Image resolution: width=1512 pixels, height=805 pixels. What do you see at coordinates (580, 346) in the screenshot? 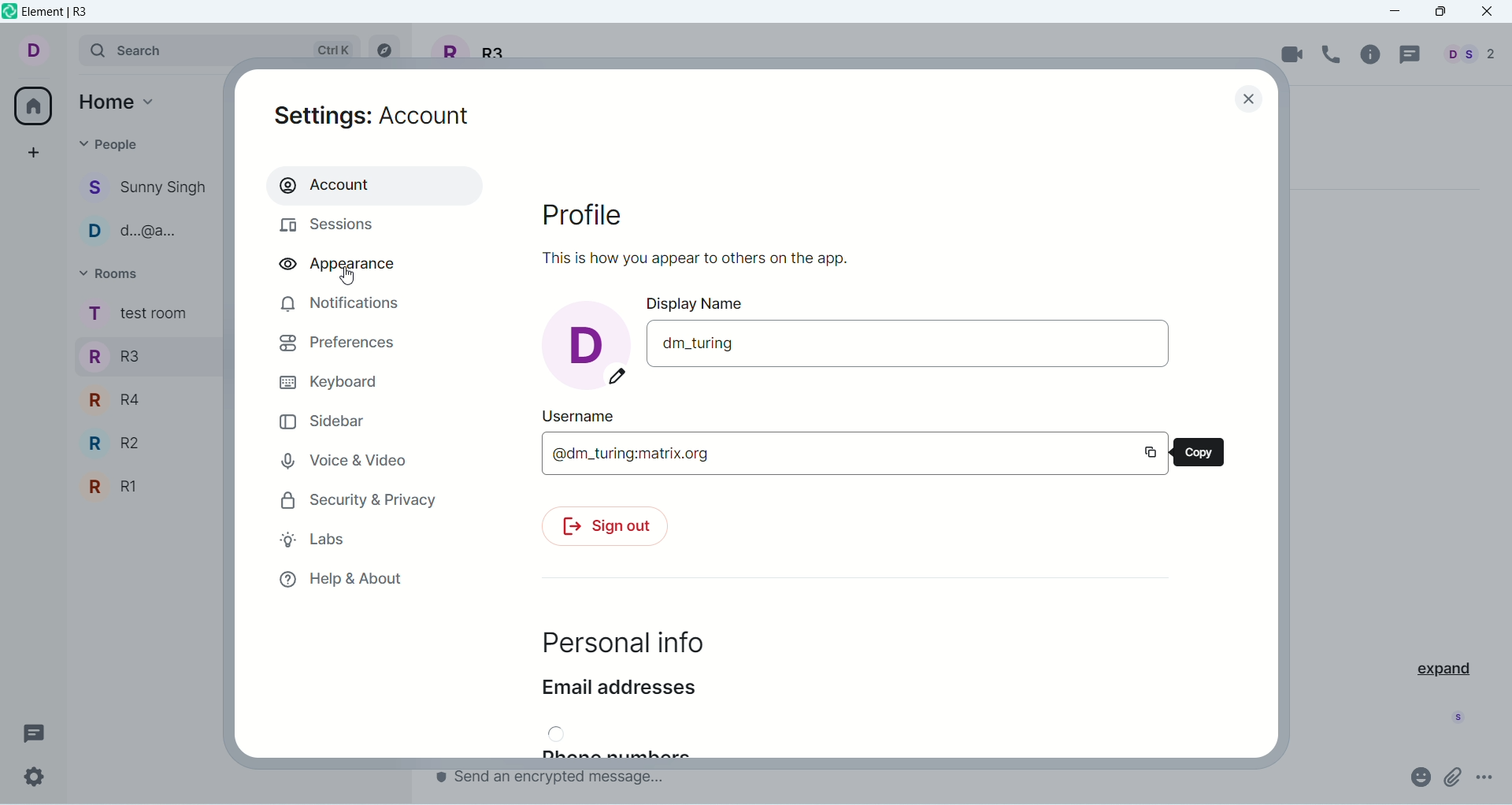
I see `account` at bounding box center [580, 346].